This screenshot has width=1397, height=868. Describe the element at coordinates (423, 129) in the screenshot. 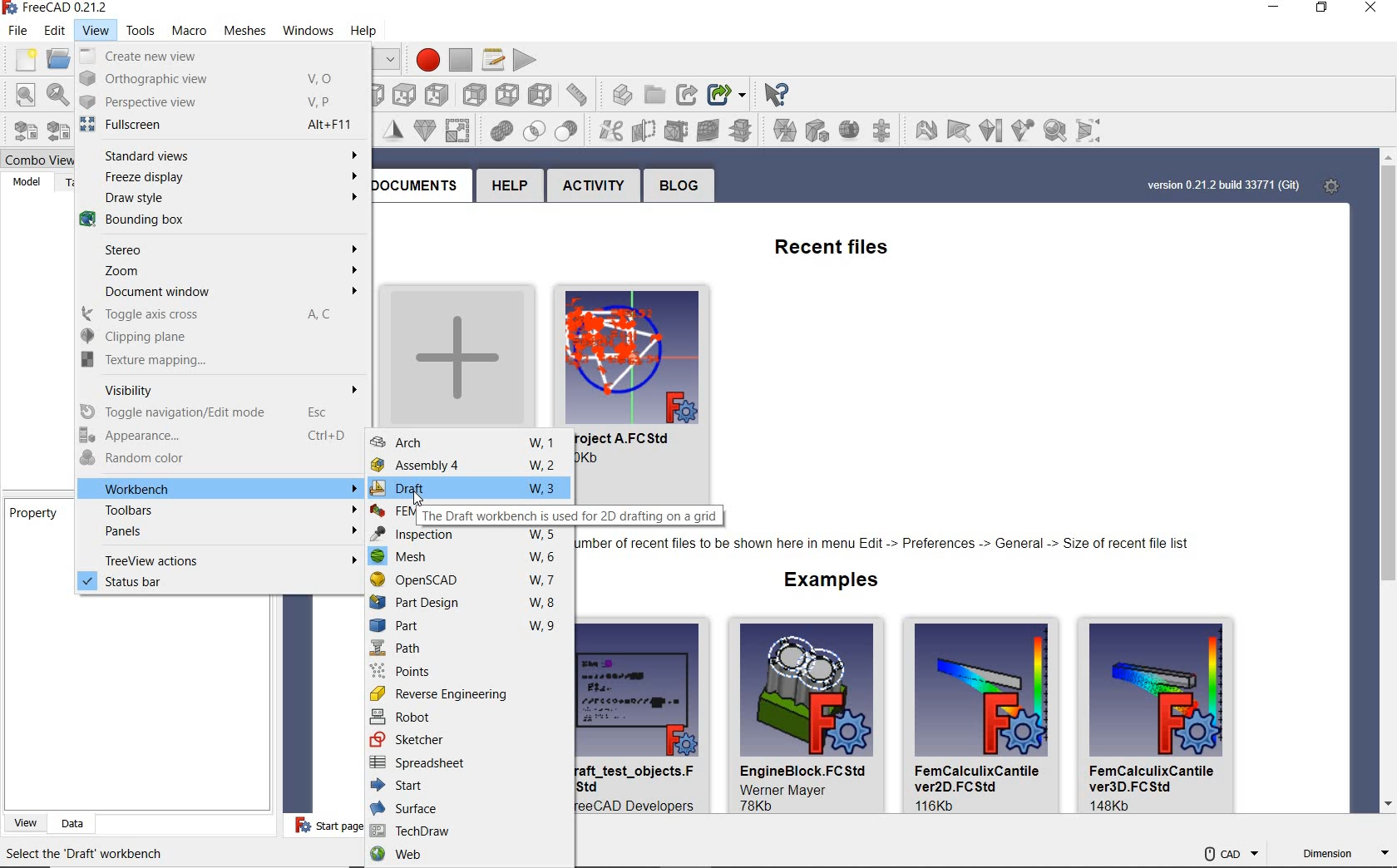

I see `scale` at that location.